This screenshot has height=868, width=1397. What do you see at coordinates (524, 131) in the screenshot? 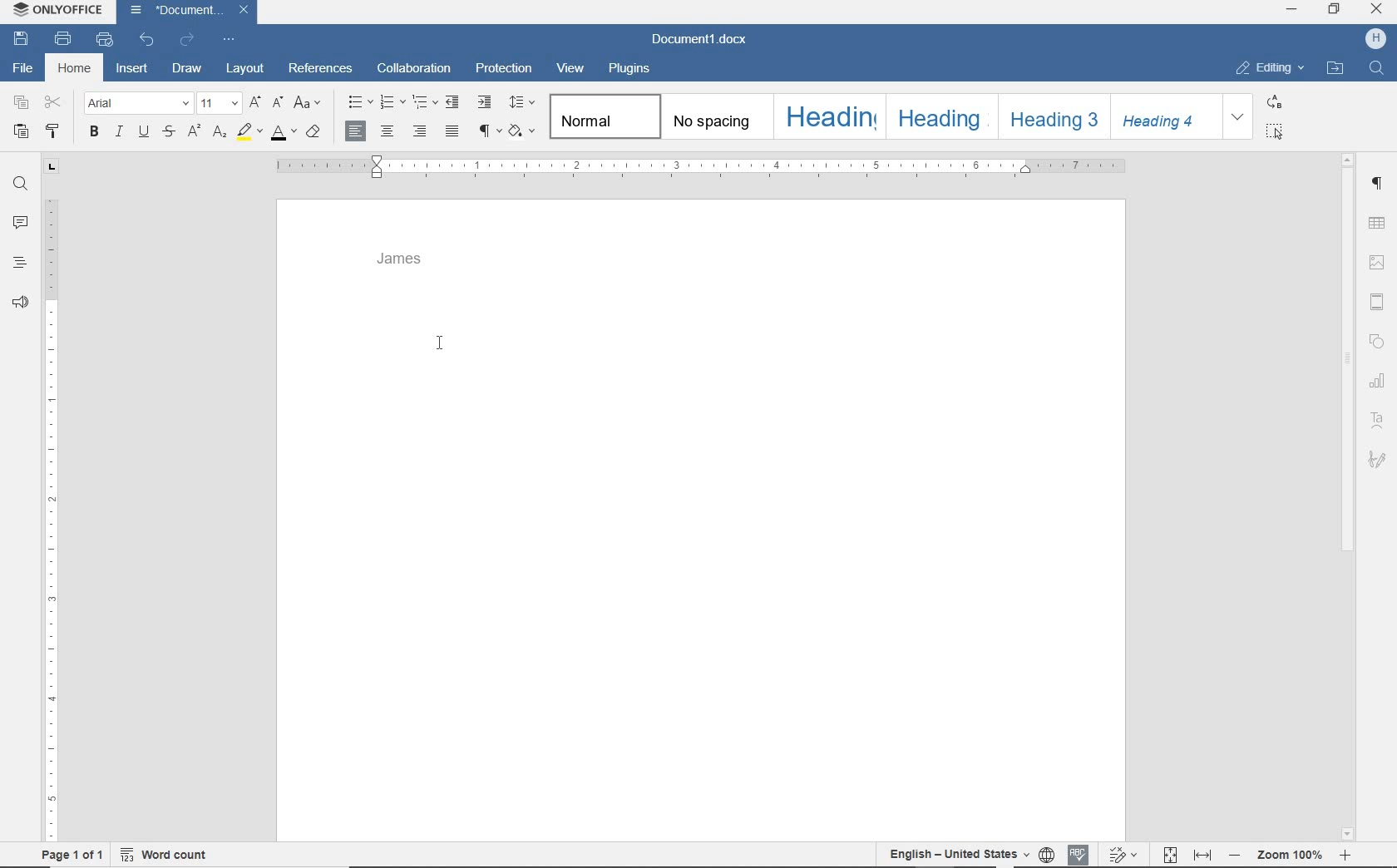
I see `shading` at bounding box center [524, 131].